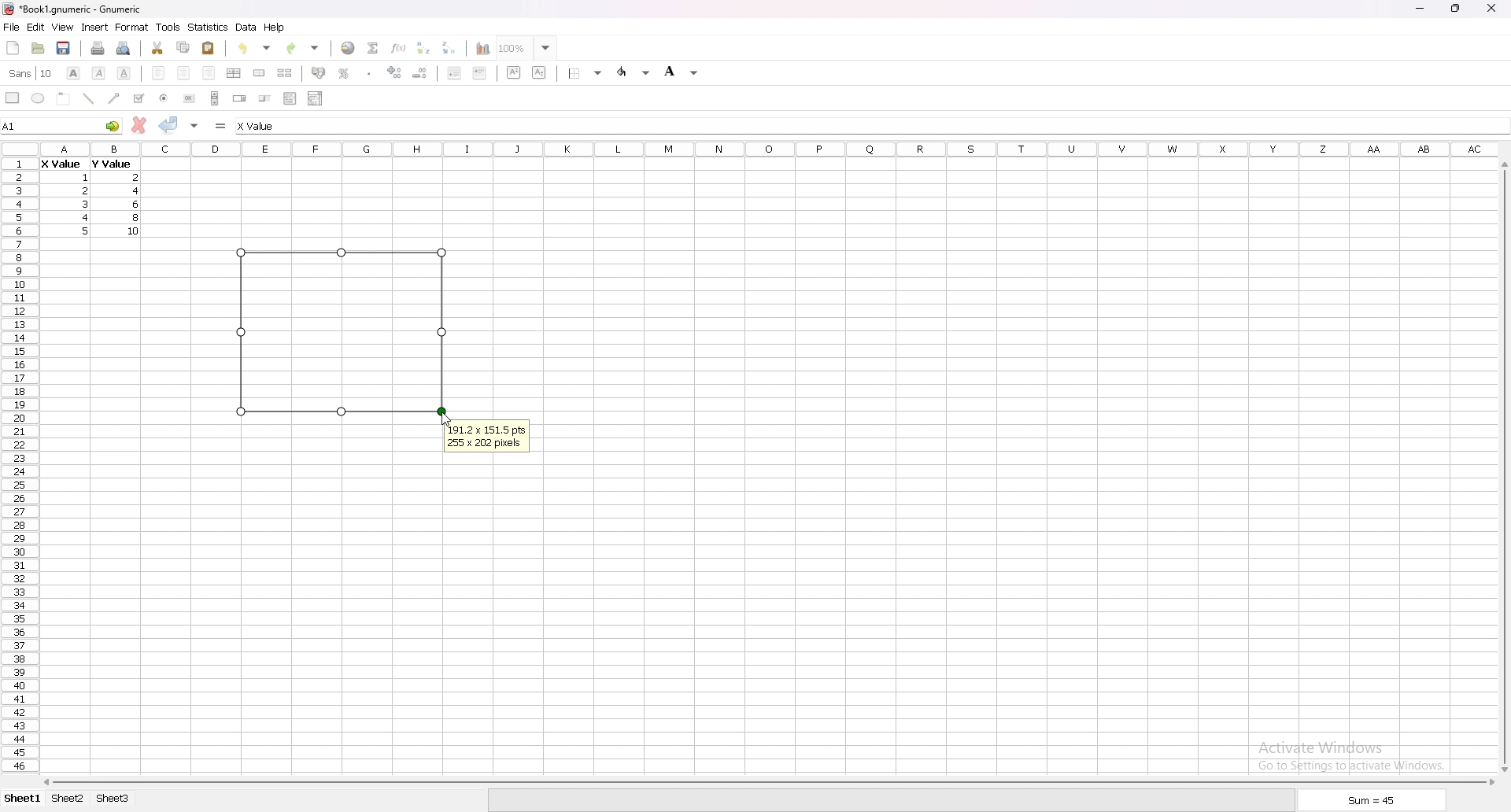  What do you see at coordinates (235, 72) in the screenshot?
I see `centre horizontally` at bounding box center [235, 72].